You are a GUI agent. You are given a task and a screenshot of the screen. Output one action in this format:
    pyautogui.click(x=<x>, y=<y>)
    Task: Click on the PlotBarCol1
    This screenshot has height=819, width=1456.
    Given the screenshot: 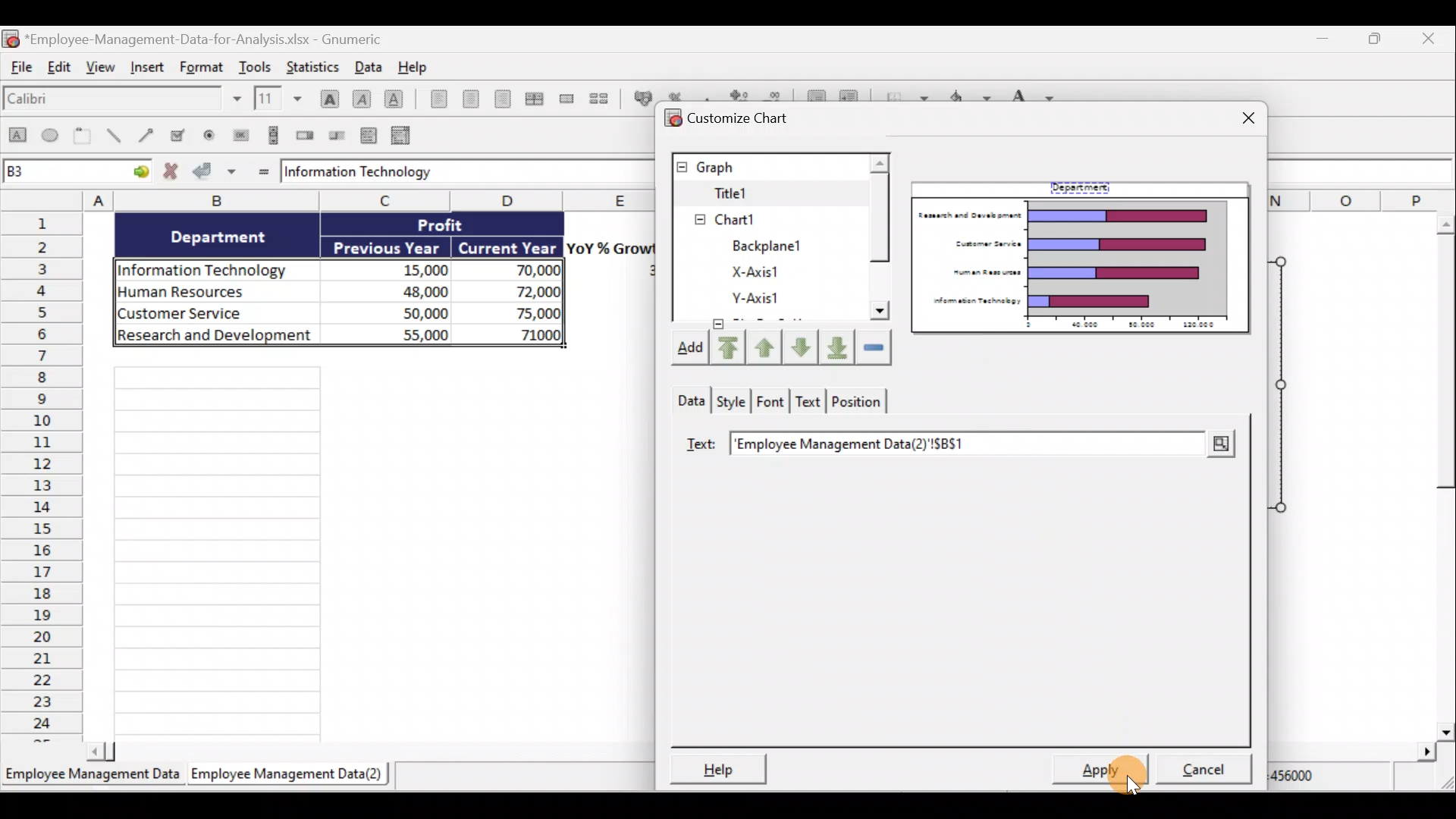 What is the action you would take?
    pyautogui.click(x=756, y=300)
    